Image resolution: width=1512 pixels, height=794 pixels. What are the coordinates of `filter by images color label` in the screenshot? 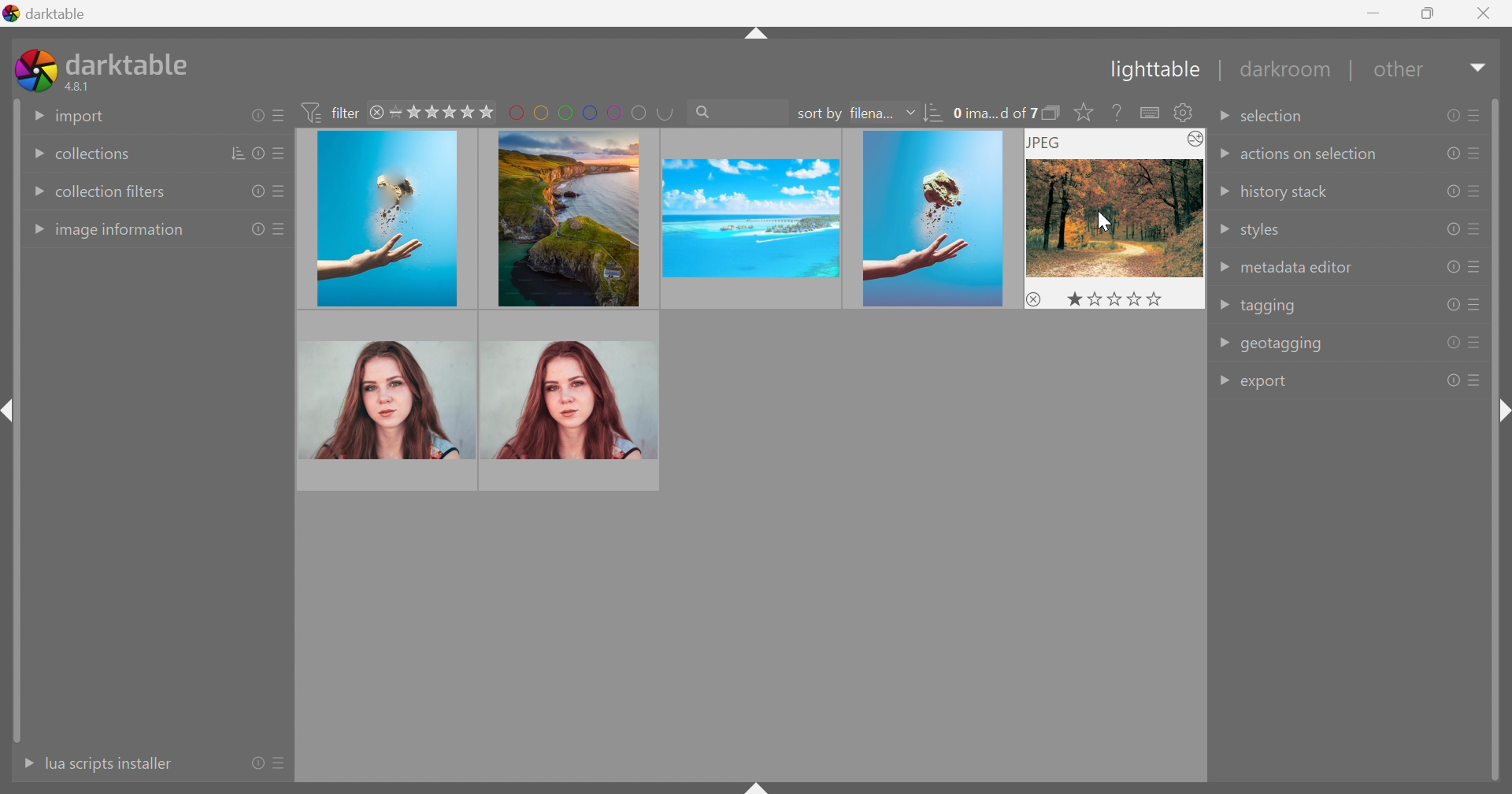 It's located at (591, 111).